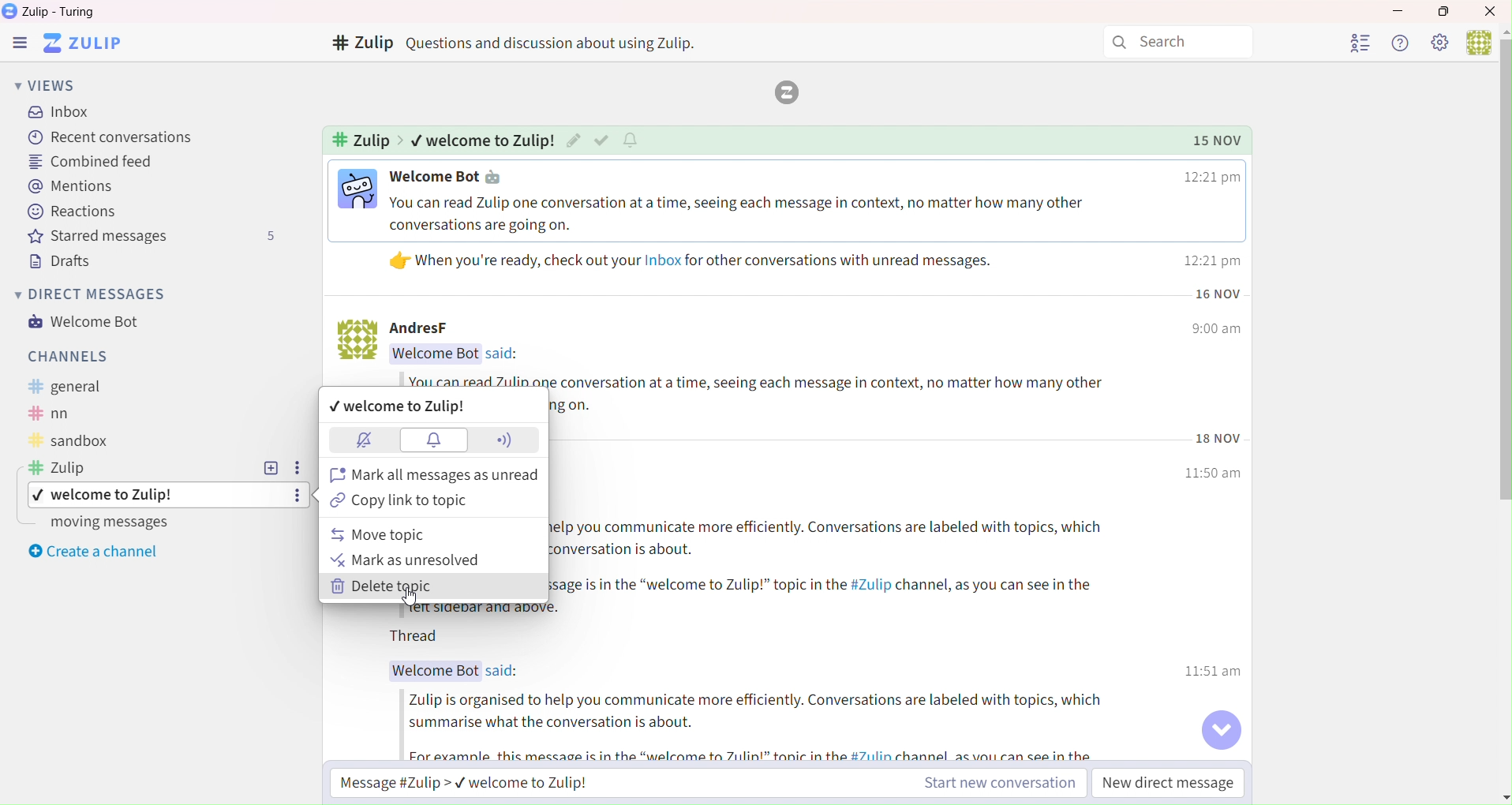 This screenshot has height=805, width=1512. I want to click on User, so click(1360, 44).